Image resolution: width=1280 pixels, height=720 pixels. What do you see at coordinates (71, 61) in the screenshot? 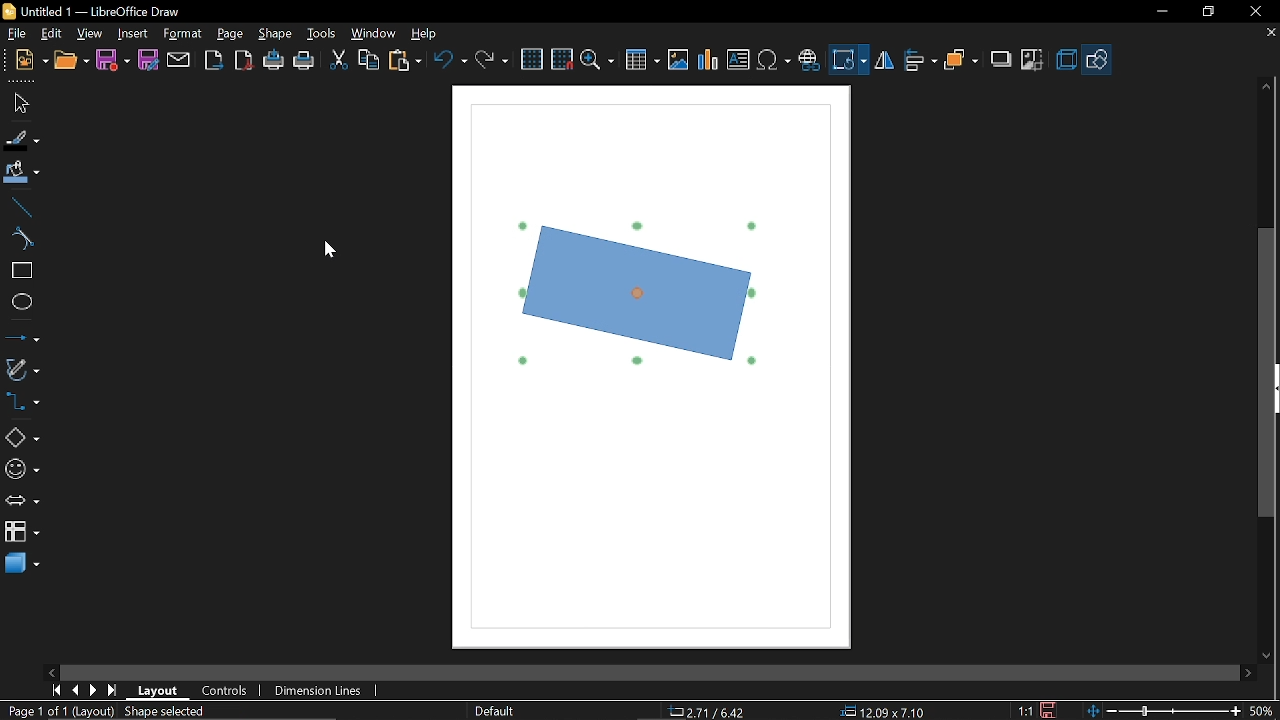
I see `Open` at bounding box center [71, 61].